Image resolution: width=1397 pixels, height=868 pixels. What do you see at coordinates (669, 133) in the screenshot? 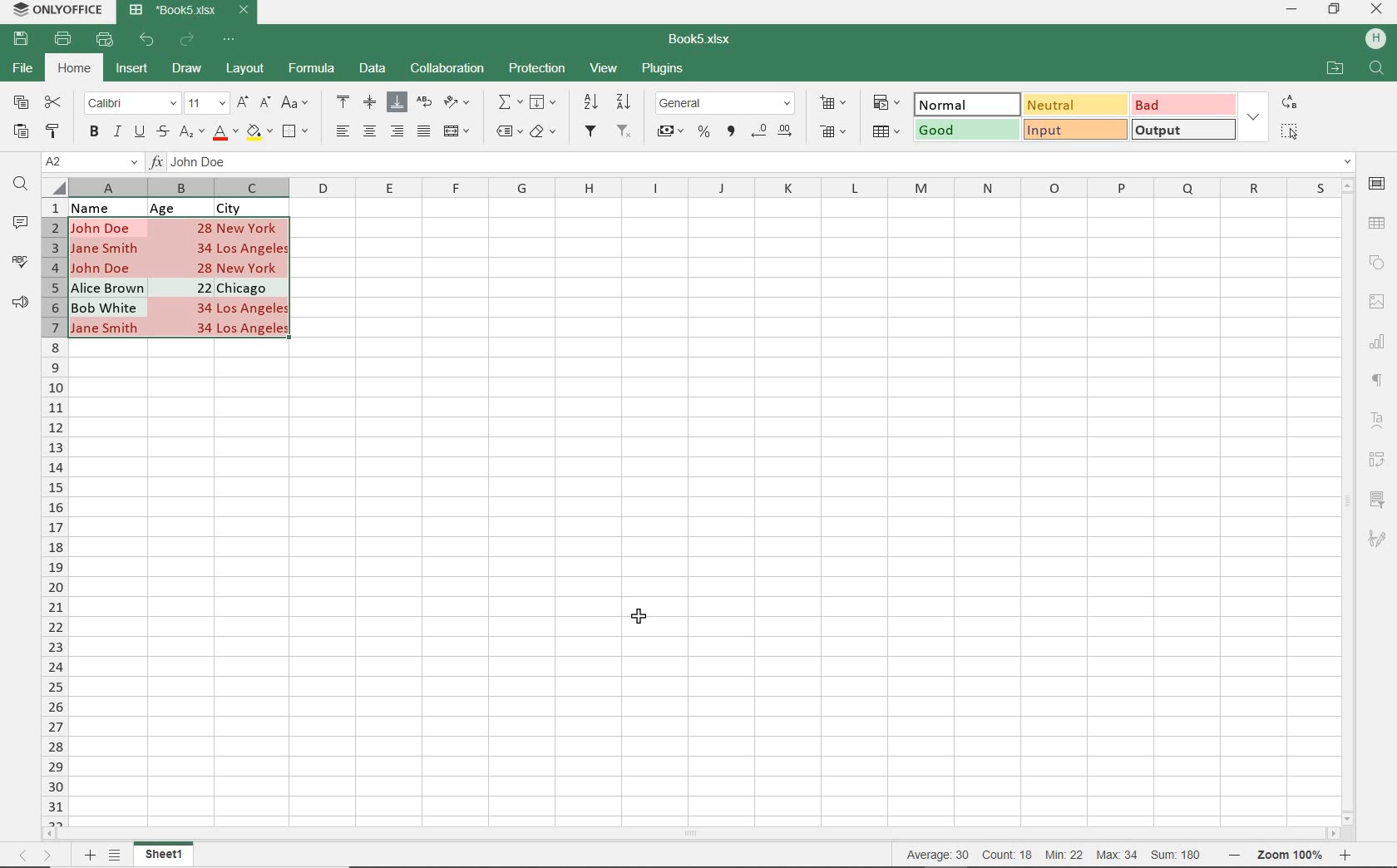
I see `ACCOUNTING STYLE` at bounding box center [669, 133].